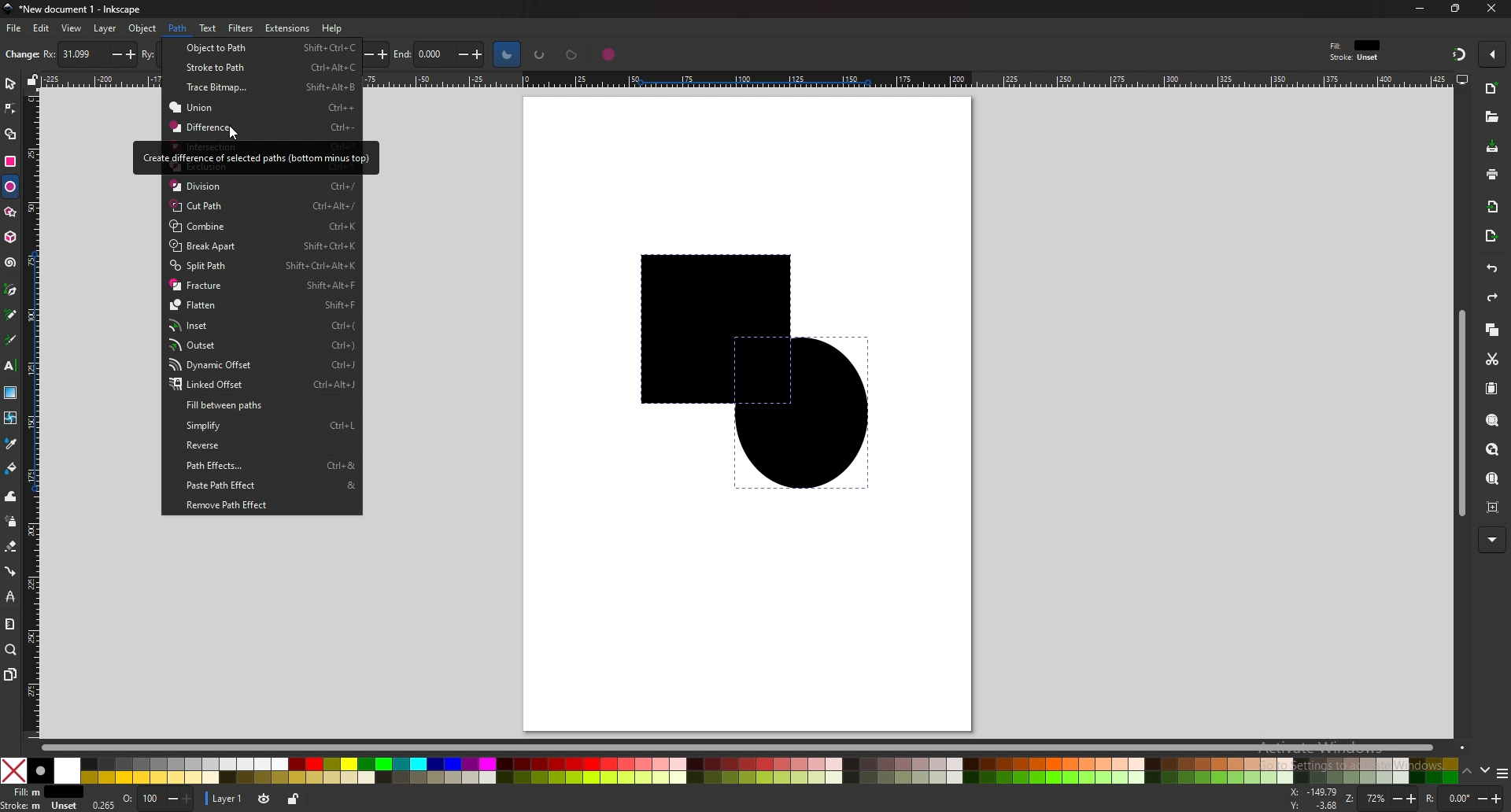 Image resolution: width=1511 pixels, height=812 pixels. Describe the element at coordinates (1463, 799) in the screenshot. I see `rotate` at that location.